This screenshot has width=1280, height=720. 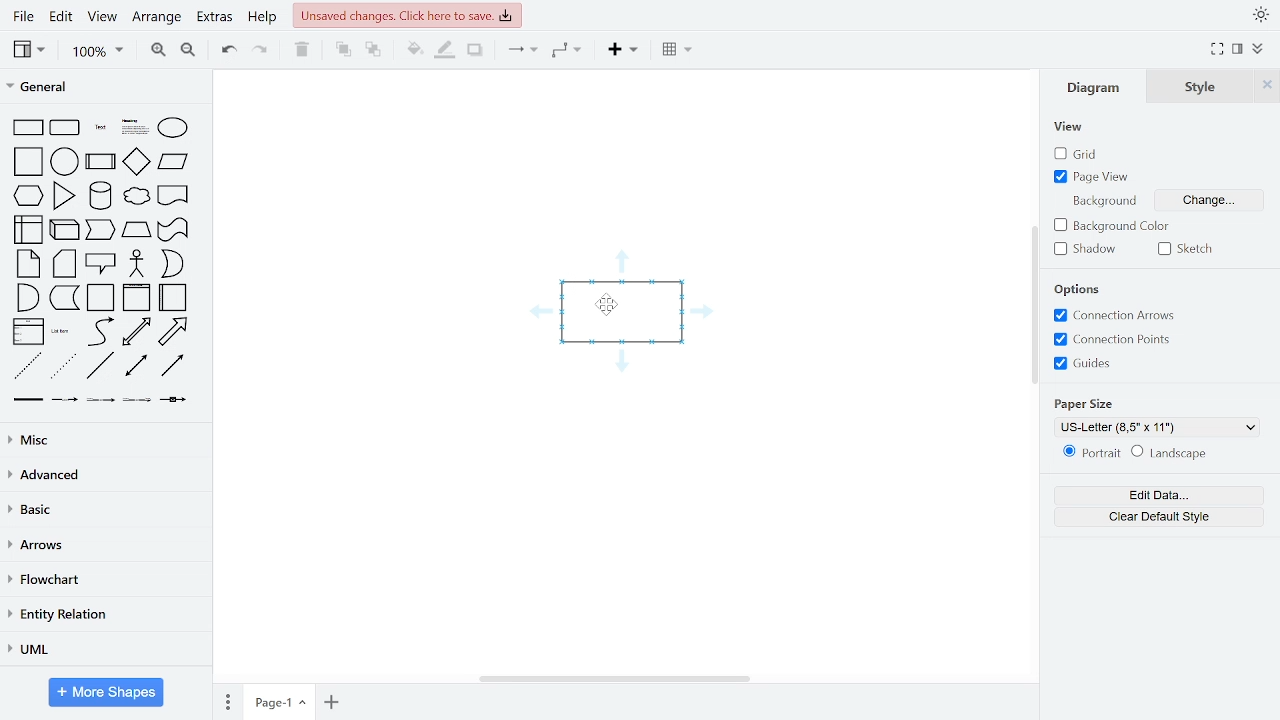 What do you see at coordinates (136, 333) in the screenshot?
I see `bidirectional arrow` at bounding box center [136, 333].